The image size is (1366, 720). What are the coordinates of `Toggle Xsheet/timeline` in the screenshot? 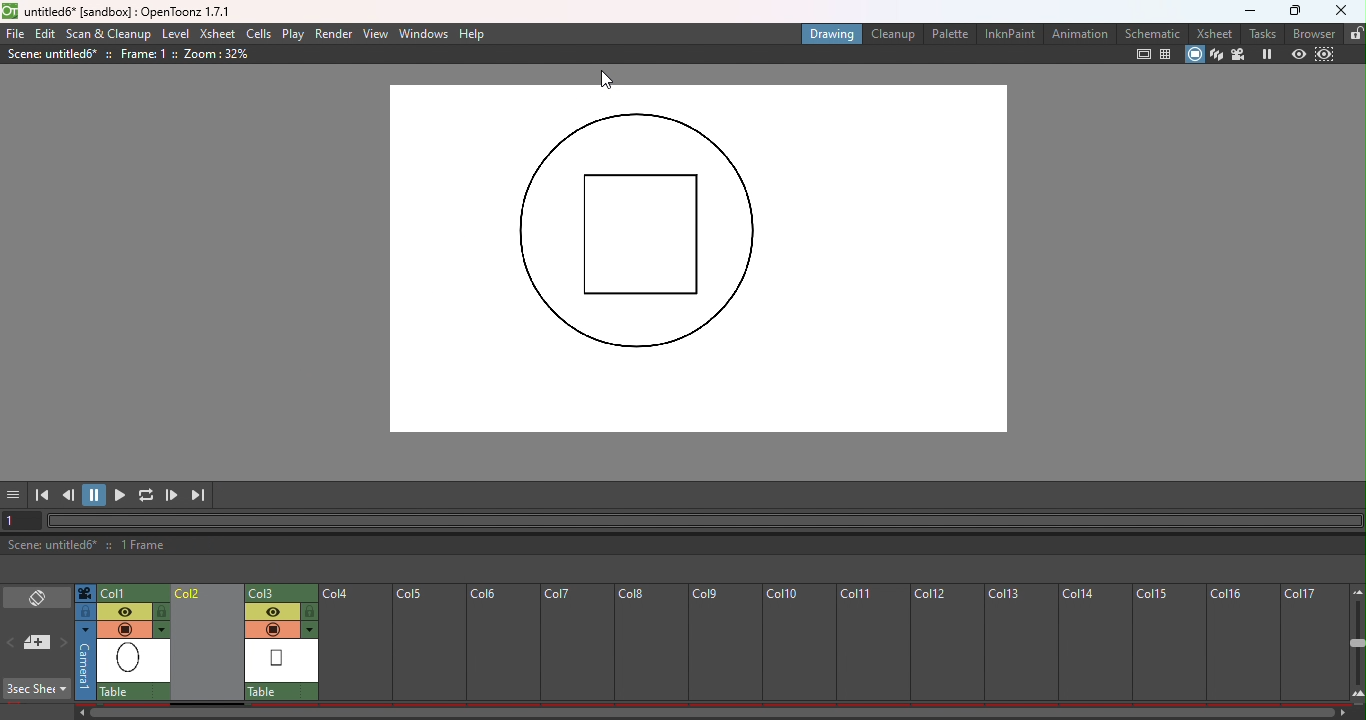 It's located at (39, 597).